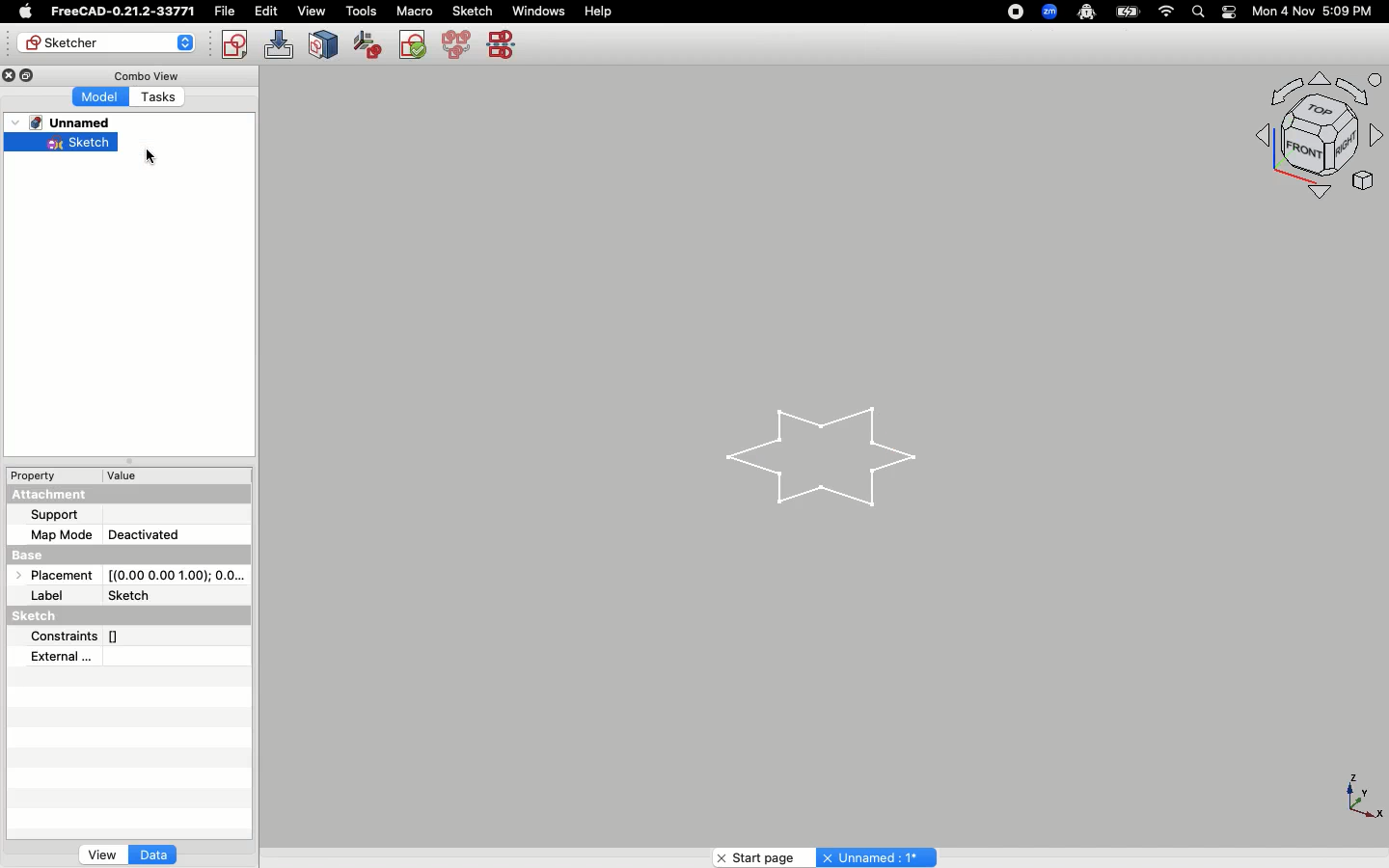  Describe the element at coordinates (504, 45) in the screenshot. I see `Convert to construction geometry` at that location.